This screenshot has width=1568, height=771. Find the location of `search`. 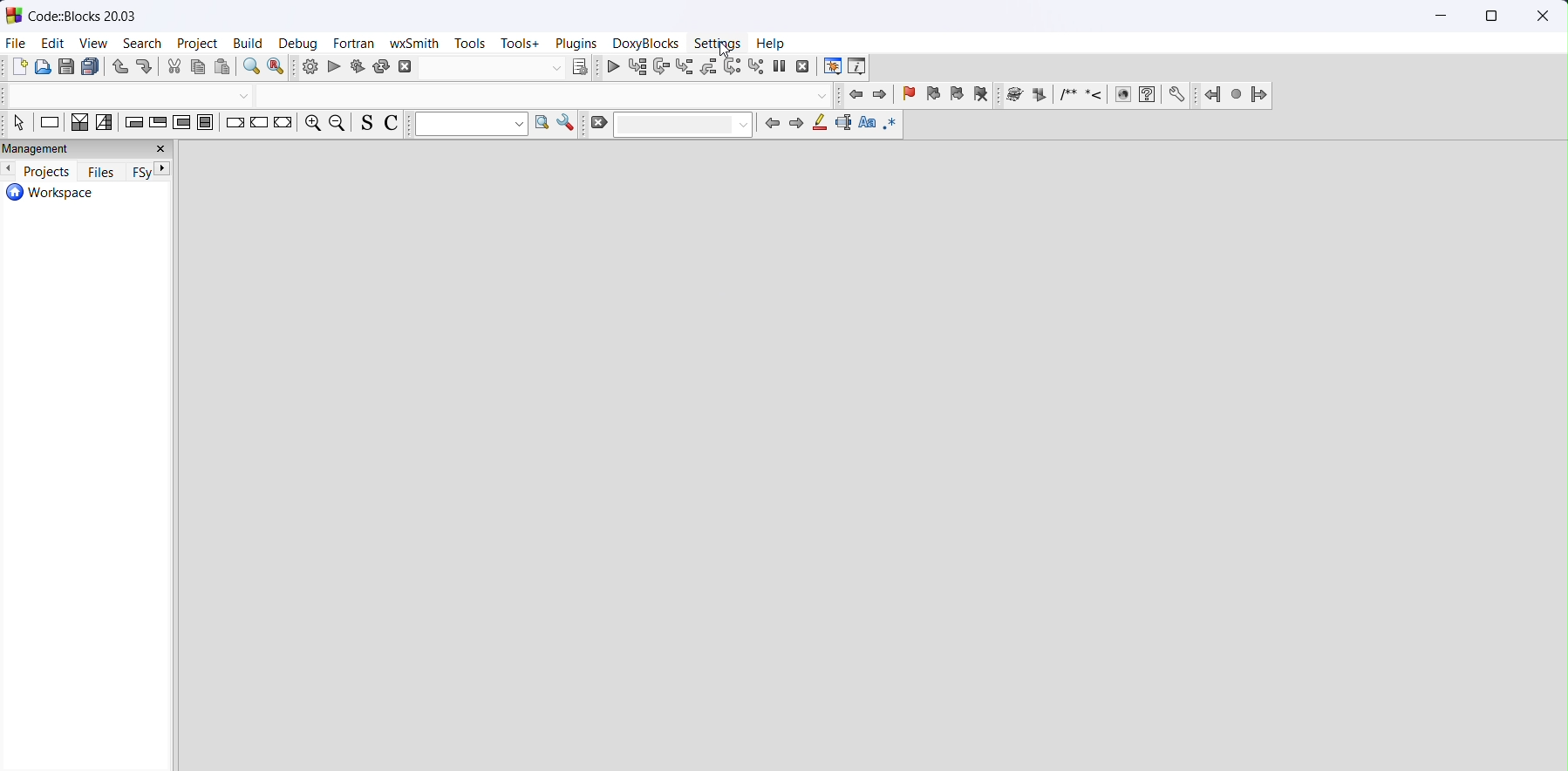

search is located at coordinates (143, 44).